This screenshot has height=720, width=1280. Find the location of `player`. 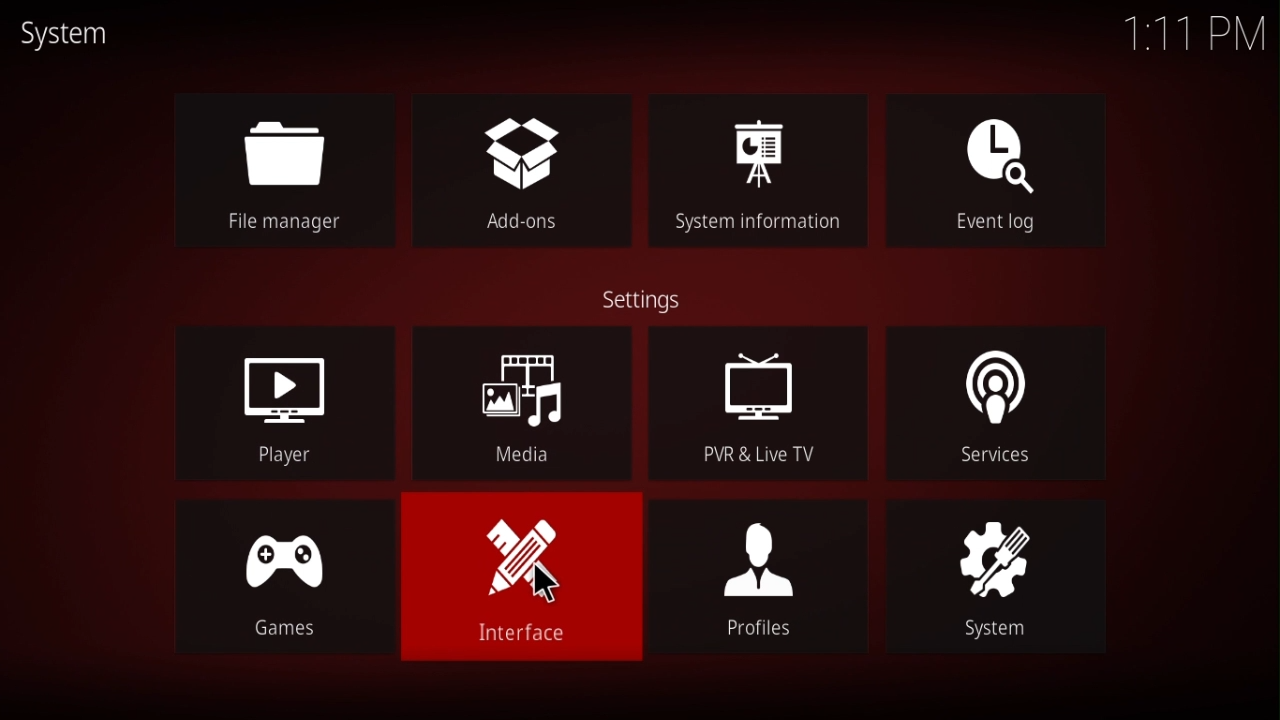

player is located at coordinates (285, 403).